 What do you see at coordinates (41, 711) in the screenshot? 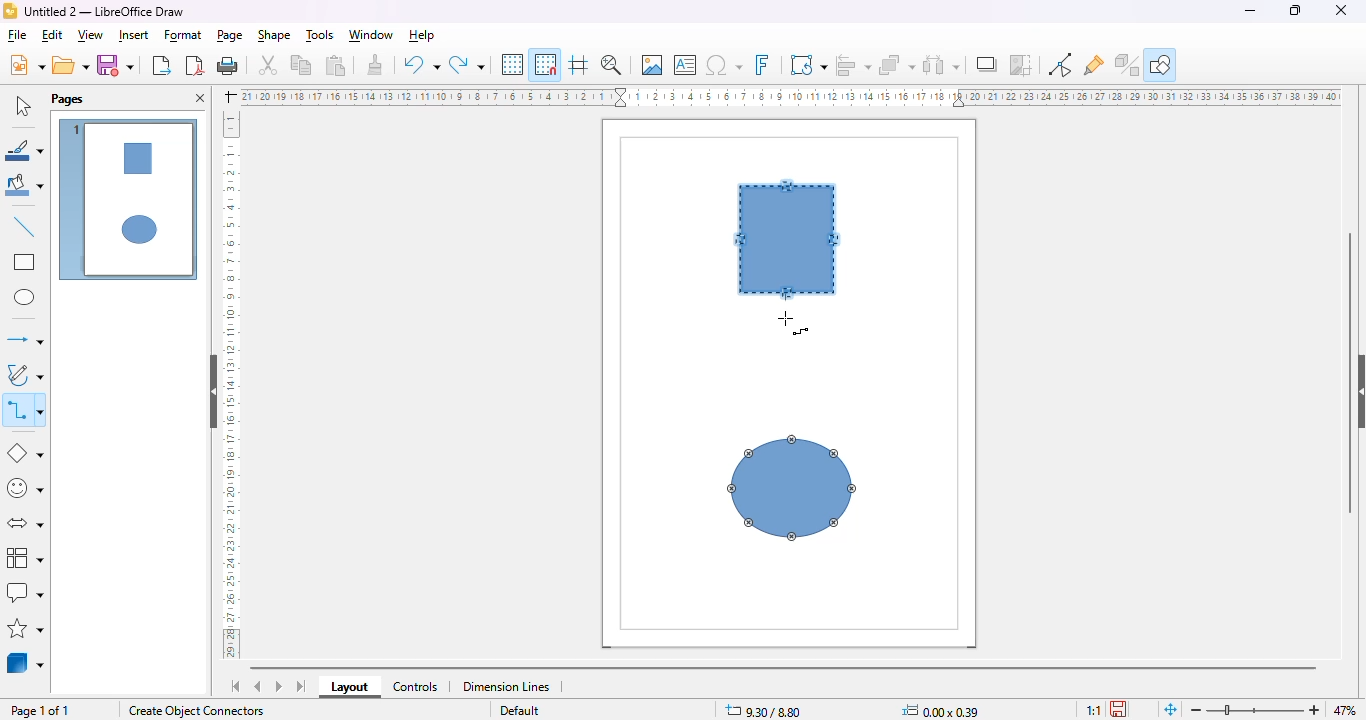
I see `page 1 of 1` at bounding box center [41, 711].